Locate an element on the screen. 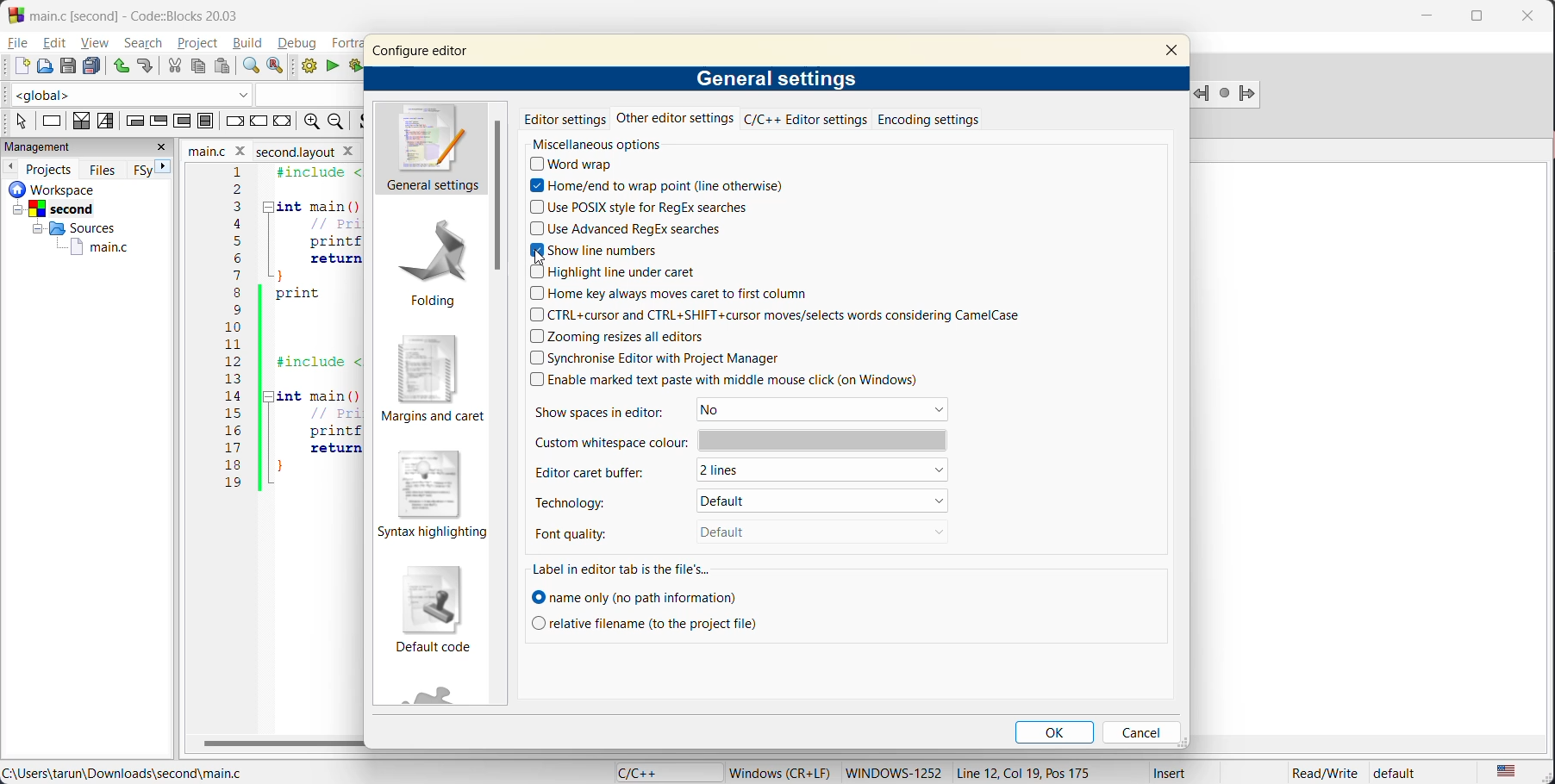  editor settings is located at coordinates (565, 120).